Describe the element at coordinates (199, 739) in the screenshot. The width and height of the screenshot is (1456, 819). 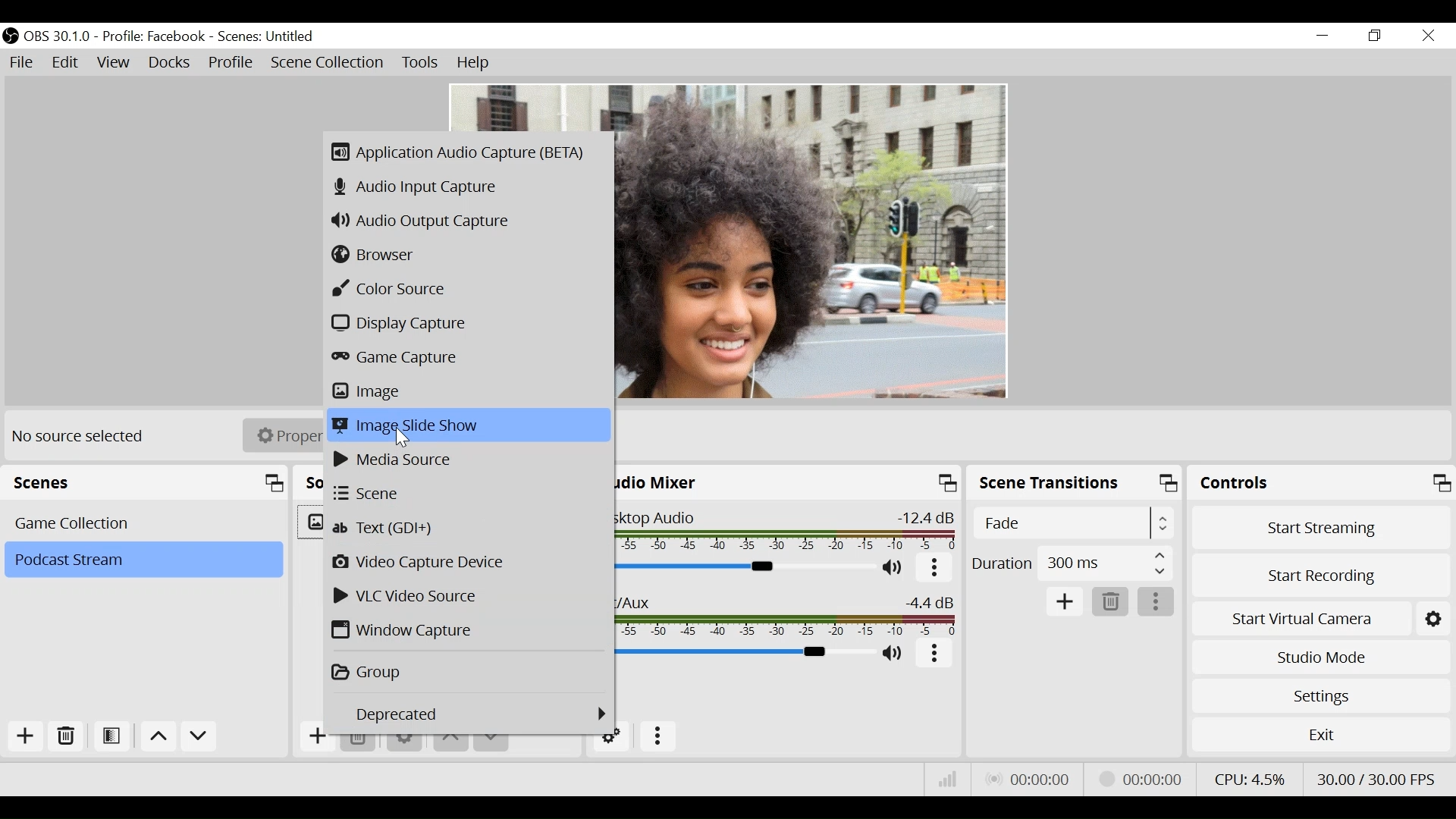
I see `Move Down` at that location.